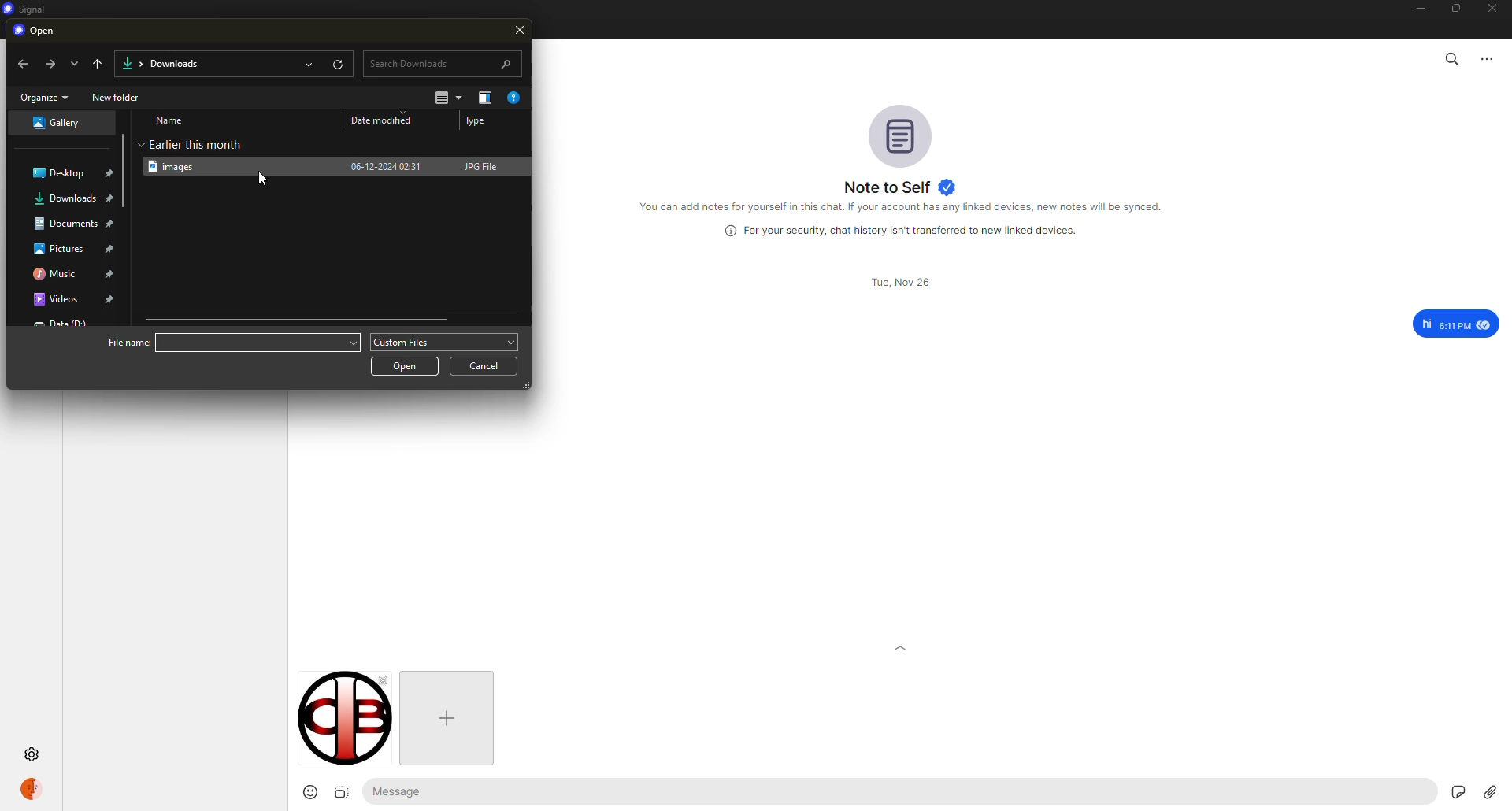 The width and height of the screenshot is (1512, 811). Describe the element at coordinates (485, 98) in the screenshot. I see `manage` at that location.